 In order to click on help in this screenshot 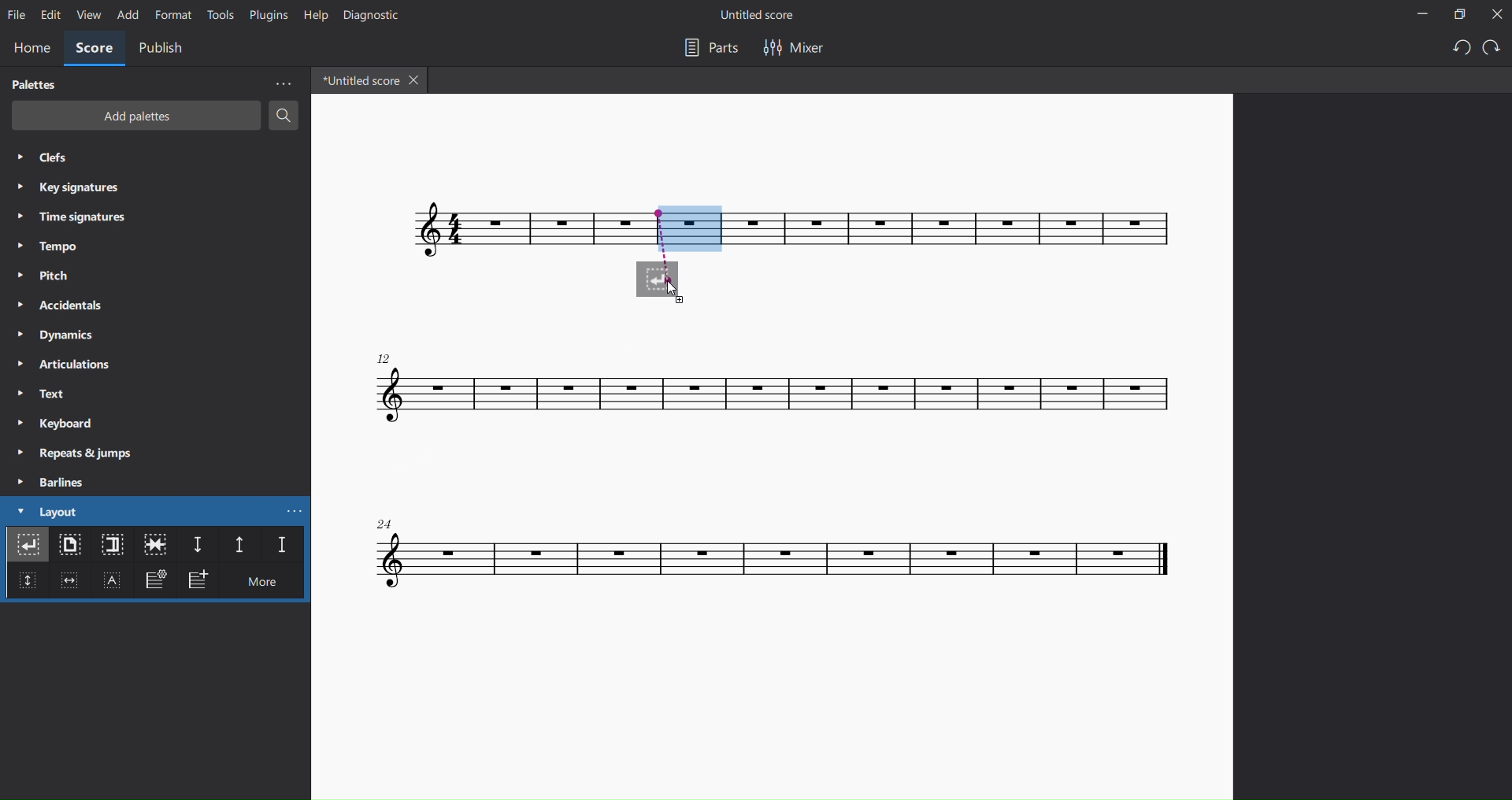, I will do `click(313, 14)`.